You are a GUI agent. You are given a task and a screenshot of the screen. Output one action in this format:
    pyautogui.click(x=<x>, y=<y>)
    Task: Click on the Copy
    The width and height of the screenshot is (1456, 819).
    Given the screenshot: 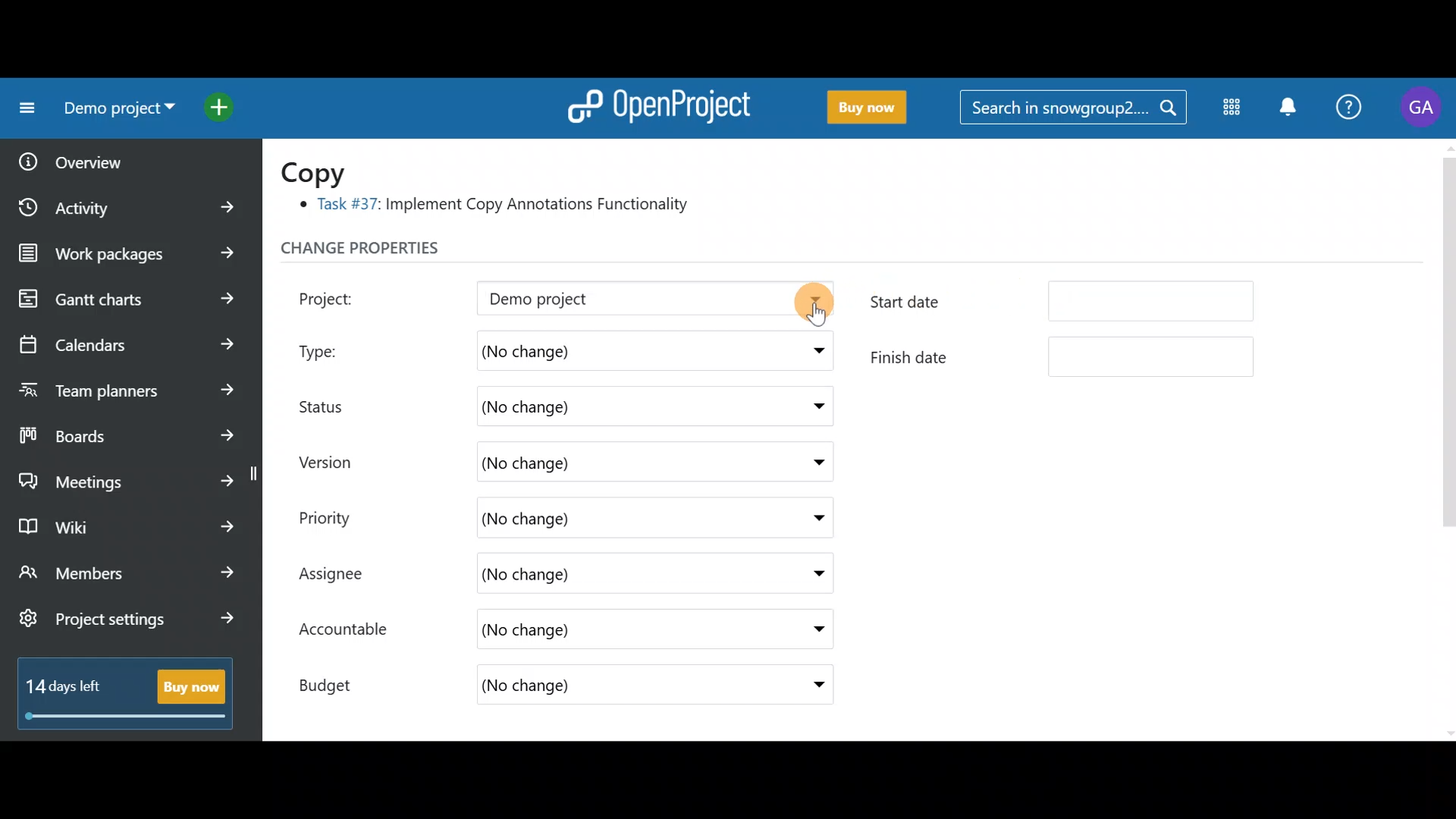 What is the action you would take?
    pyautogui.click(x=323, y=171)
    